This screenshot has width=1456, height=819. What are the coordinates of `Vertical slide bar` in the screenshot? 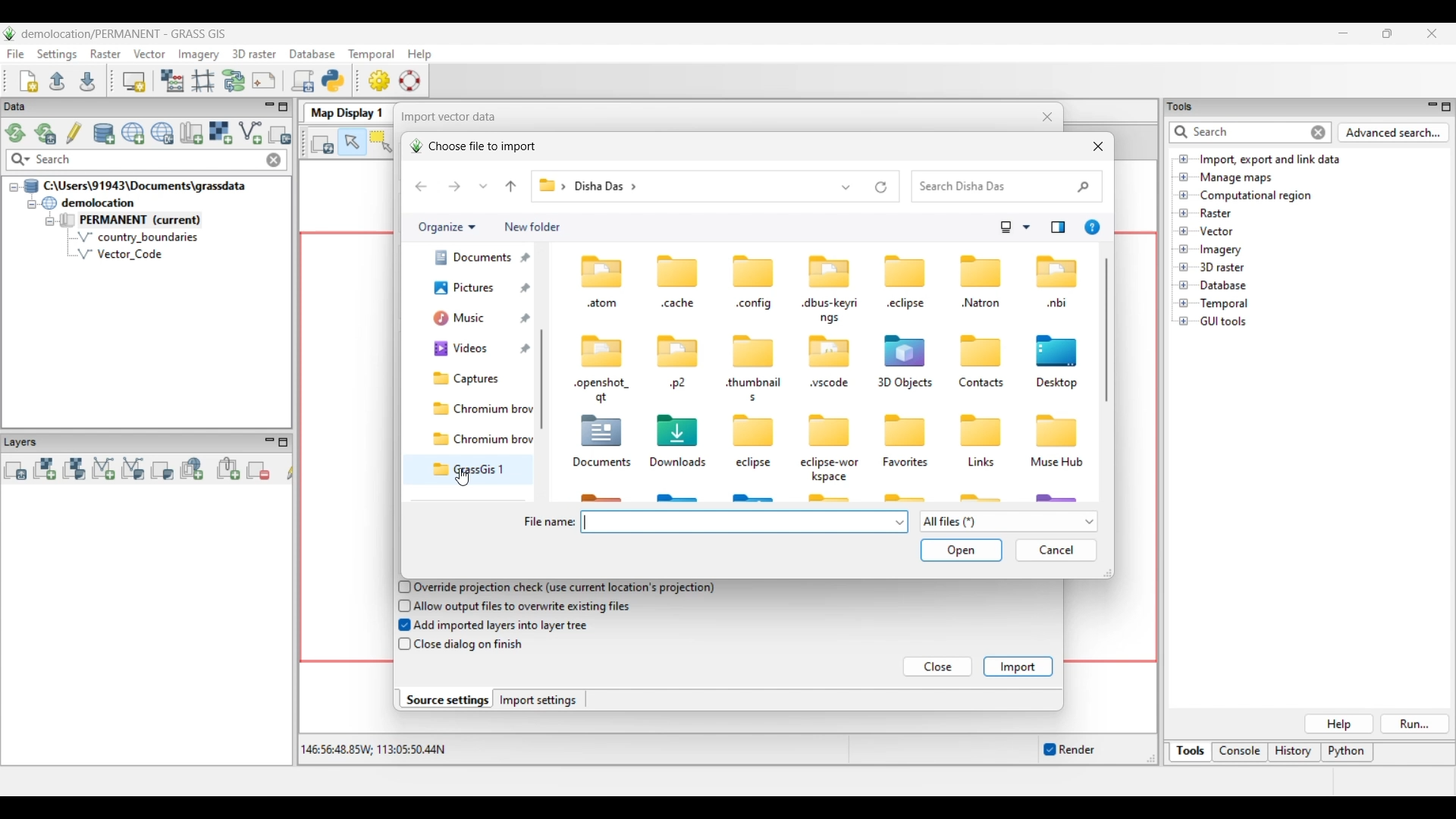 It's located at (1106, 330).